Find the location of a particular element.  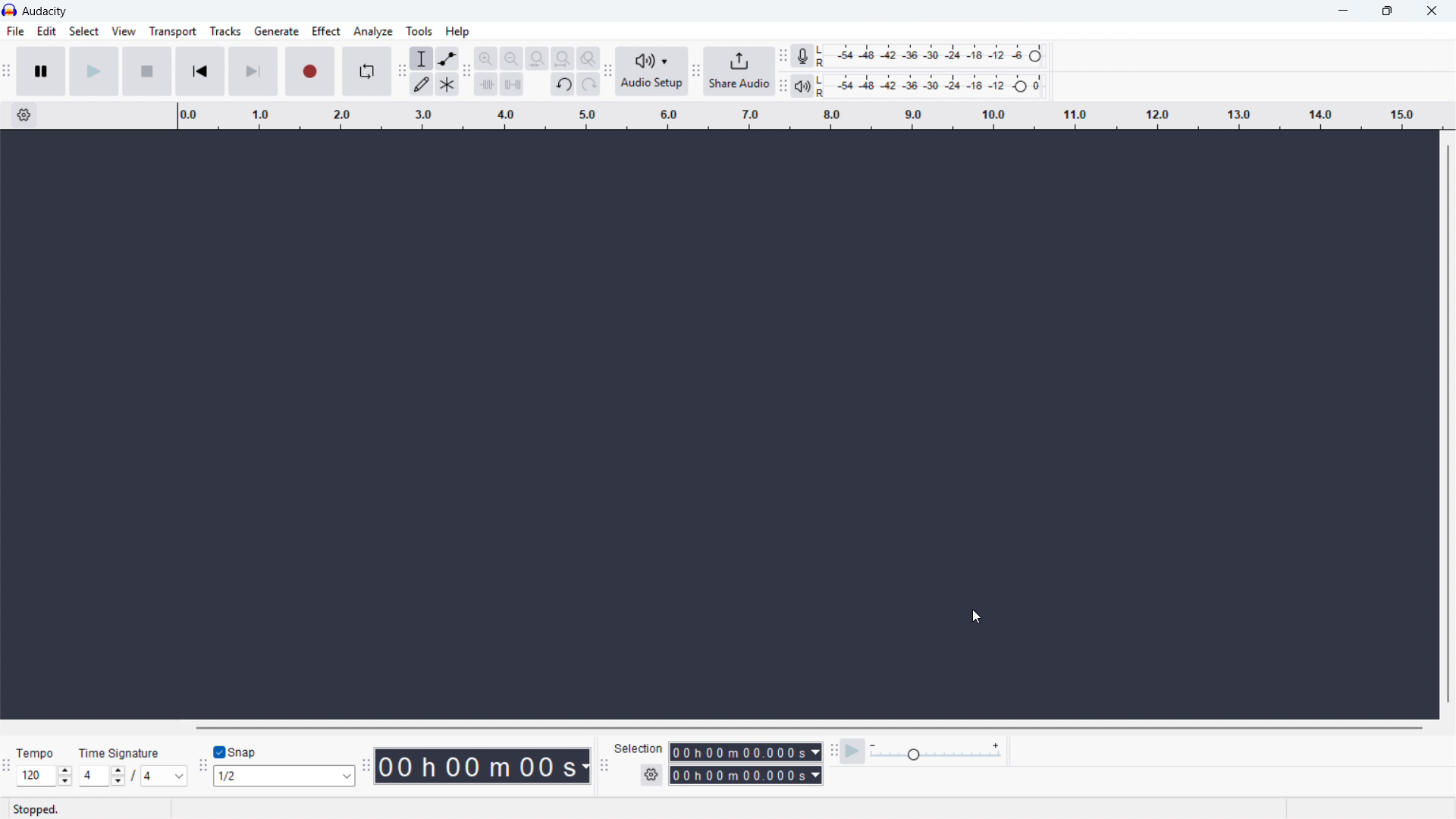

play is located at coordinates (94, 71).